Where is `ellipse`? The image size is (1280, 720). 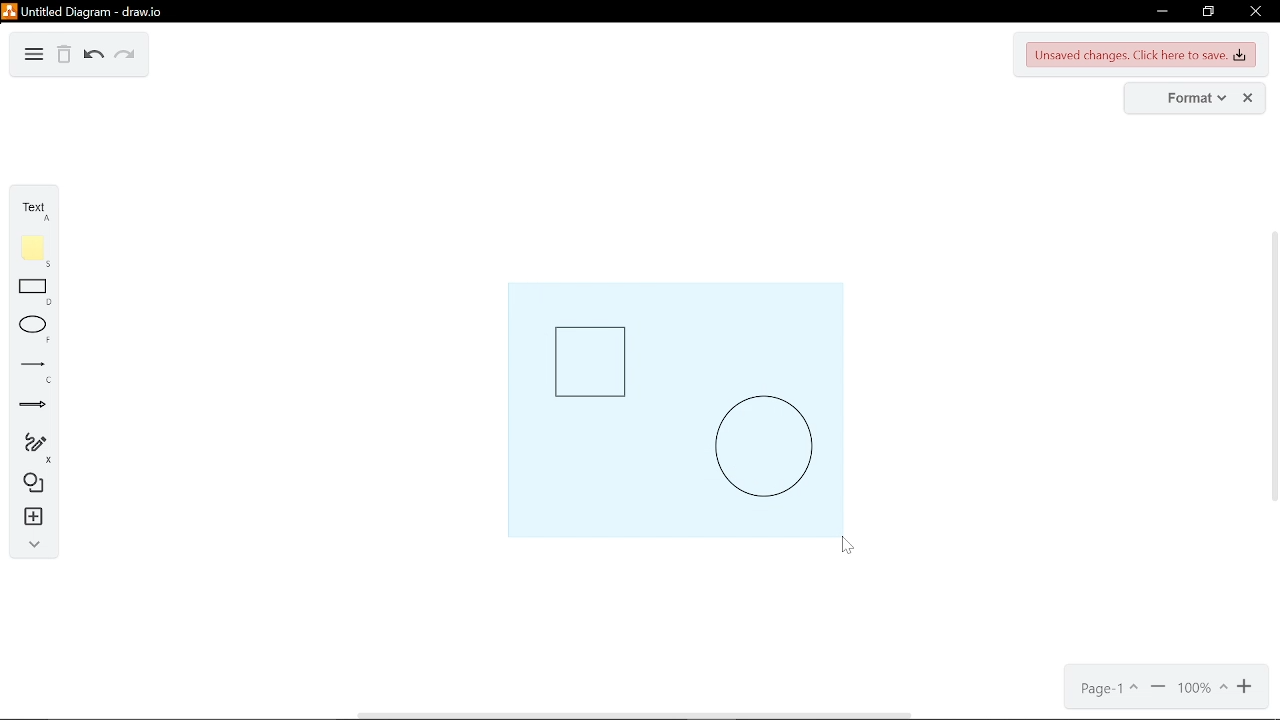
ellipse is located at coordinates (30, 331).